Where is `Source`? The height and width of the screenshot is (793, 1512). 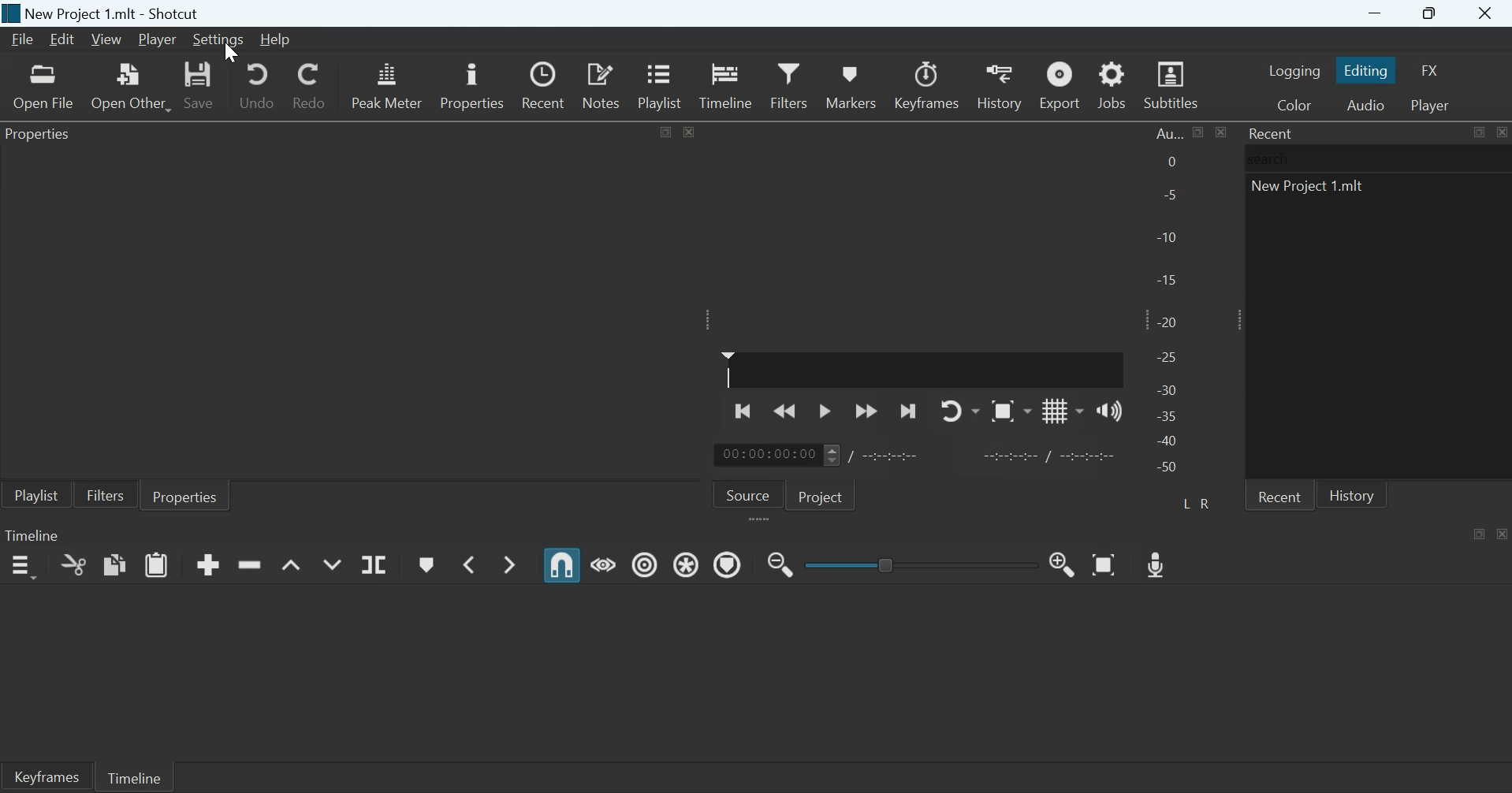
Source is located at coordinates (748, 493).